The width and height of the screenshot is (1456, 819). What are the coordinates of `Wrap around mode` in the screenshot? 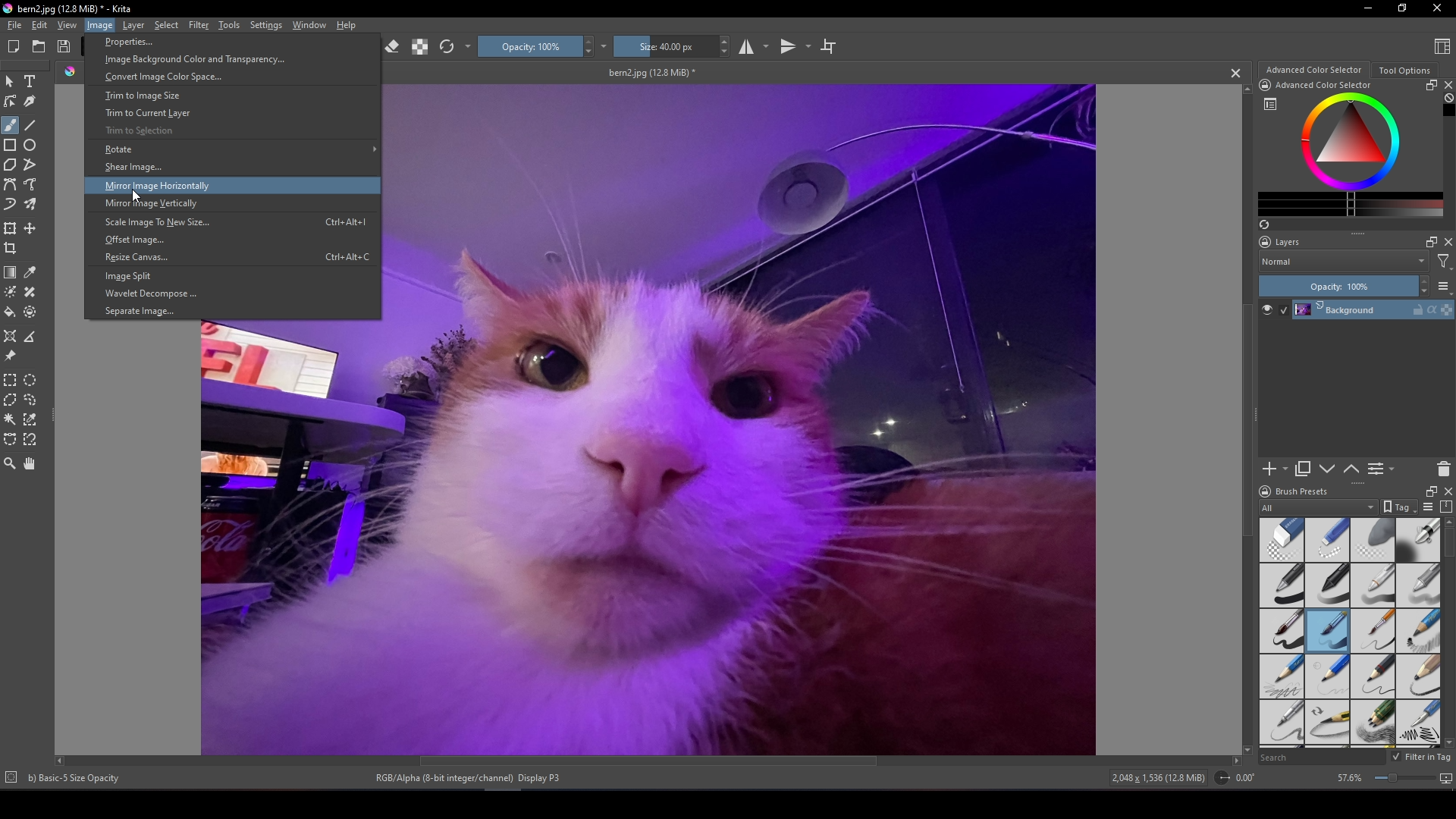 It's located at (829, 47).